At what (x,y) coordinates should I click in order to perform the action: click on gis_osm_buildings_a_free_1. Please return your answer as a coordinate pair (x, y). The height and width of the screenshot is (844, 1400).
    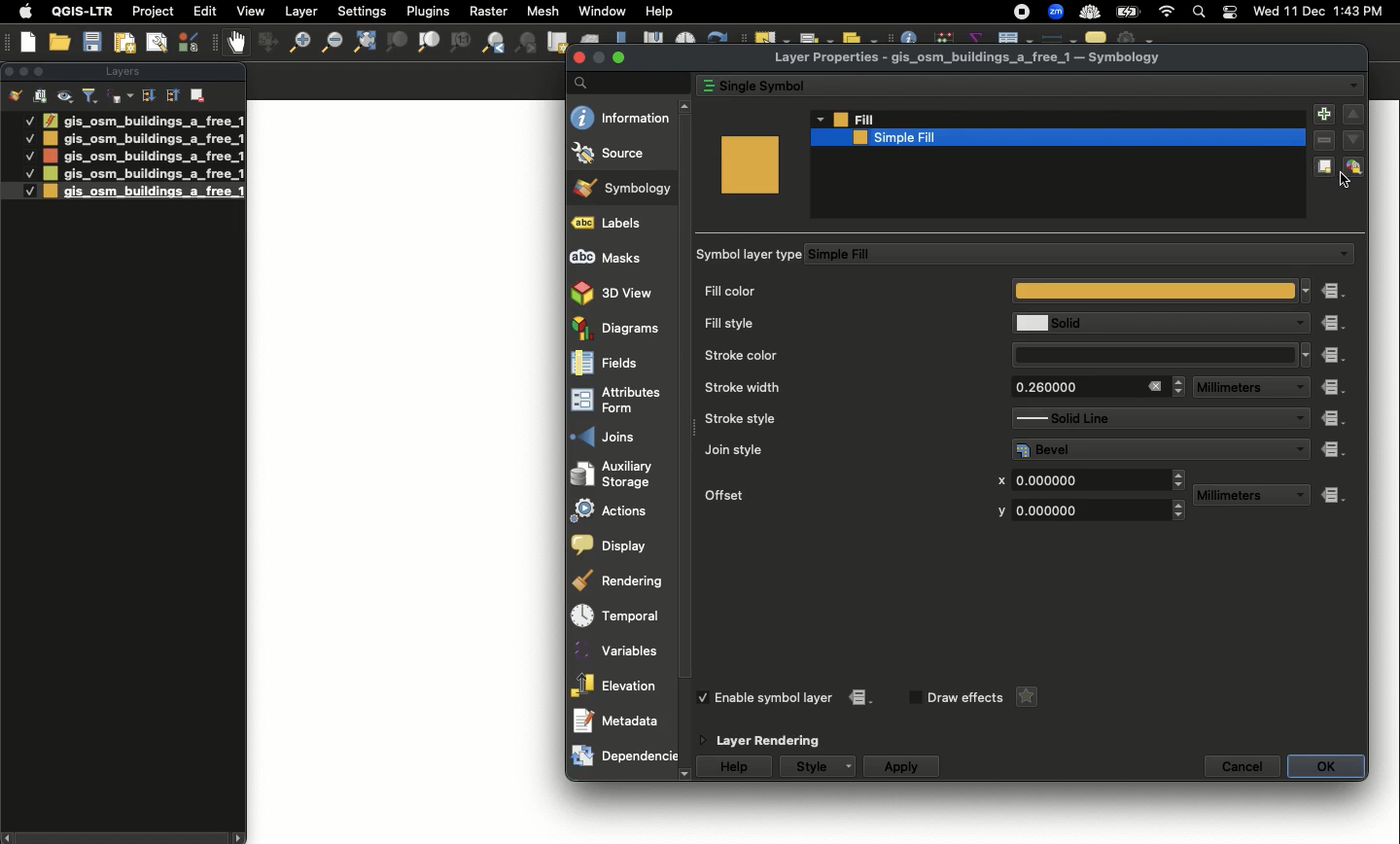
    Looking at the image, I should click on (142, 174).